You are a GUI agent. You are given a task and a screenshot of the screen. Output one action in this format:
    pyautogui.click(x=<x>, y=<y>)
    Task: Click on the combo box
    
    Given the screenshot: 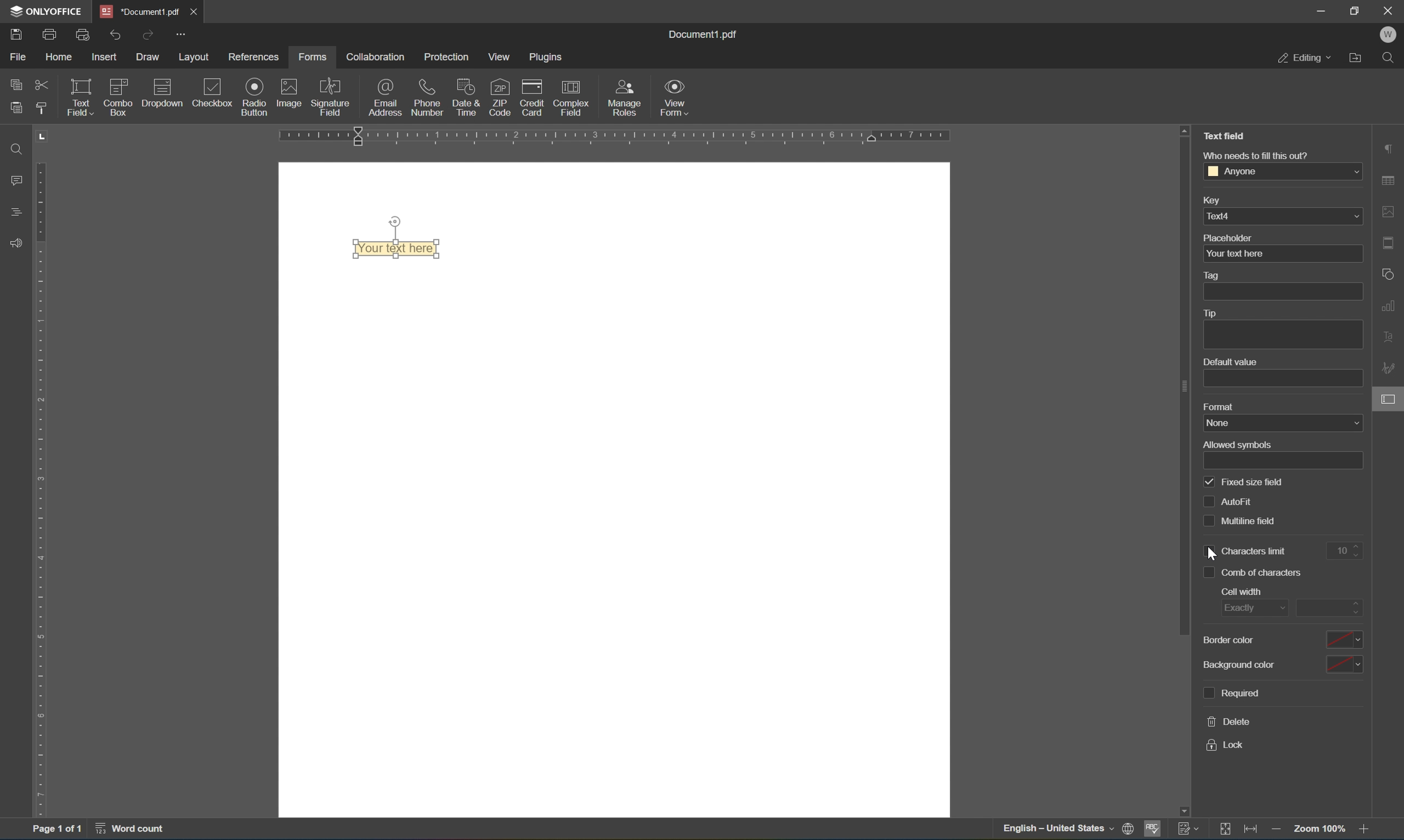 What is the action you would take?
    pyautogui.click(x=121, y=91)
    